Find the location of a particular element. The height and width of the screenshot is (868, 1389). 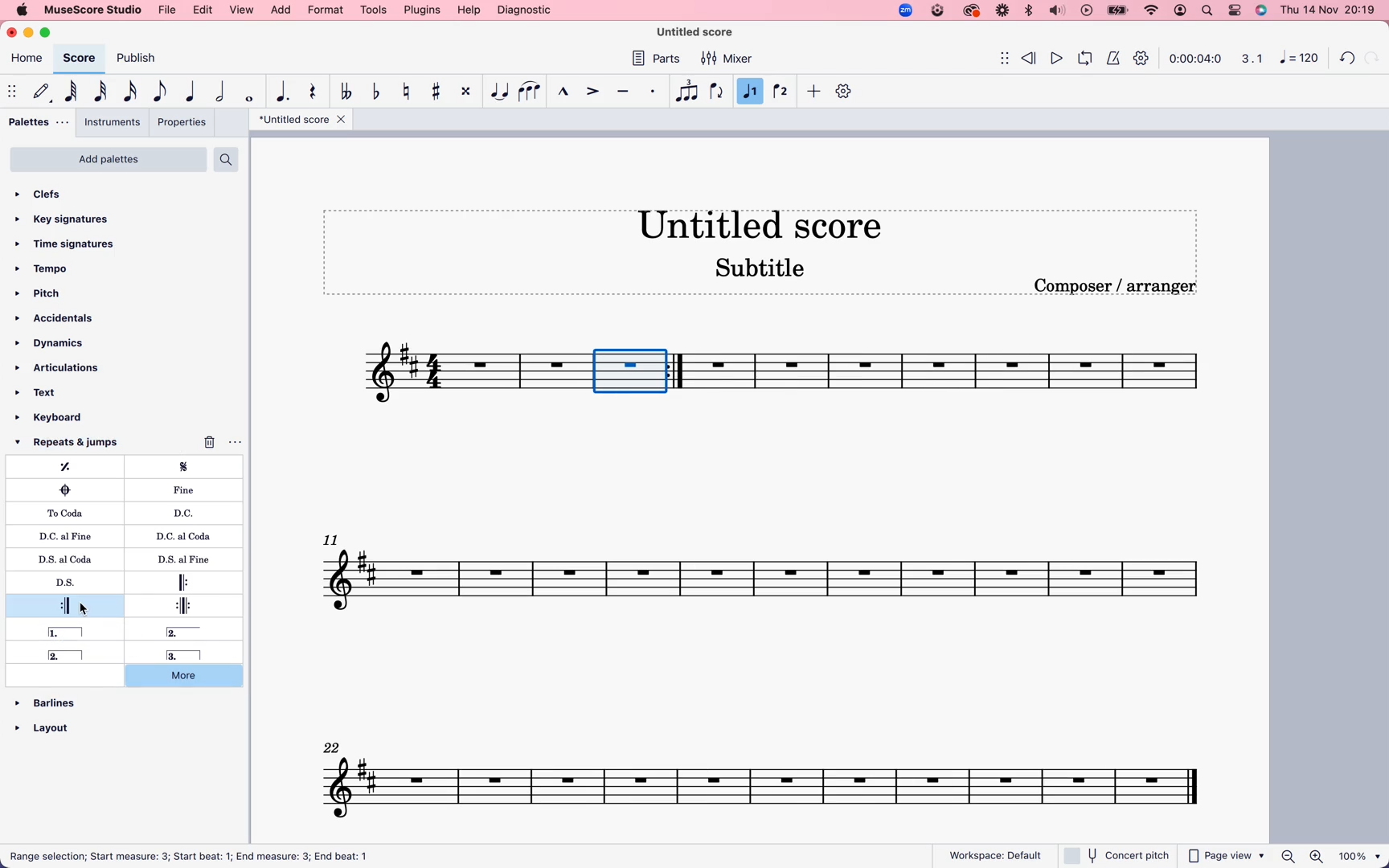

repeats & jumps is located at coordinates (76, 444).